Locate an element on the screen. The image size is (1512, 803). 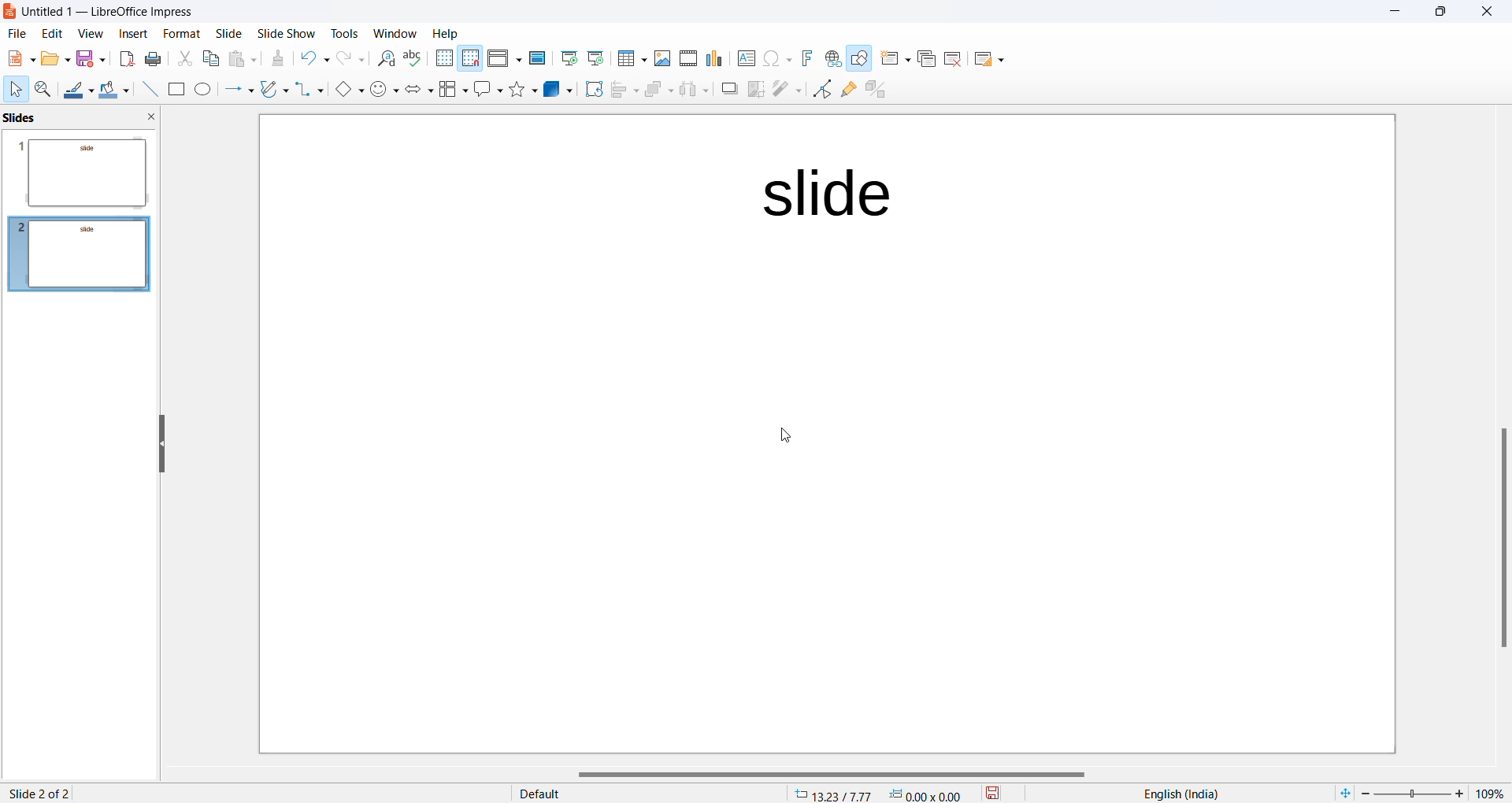
Insert font work text is located at coordinates (806, 58).